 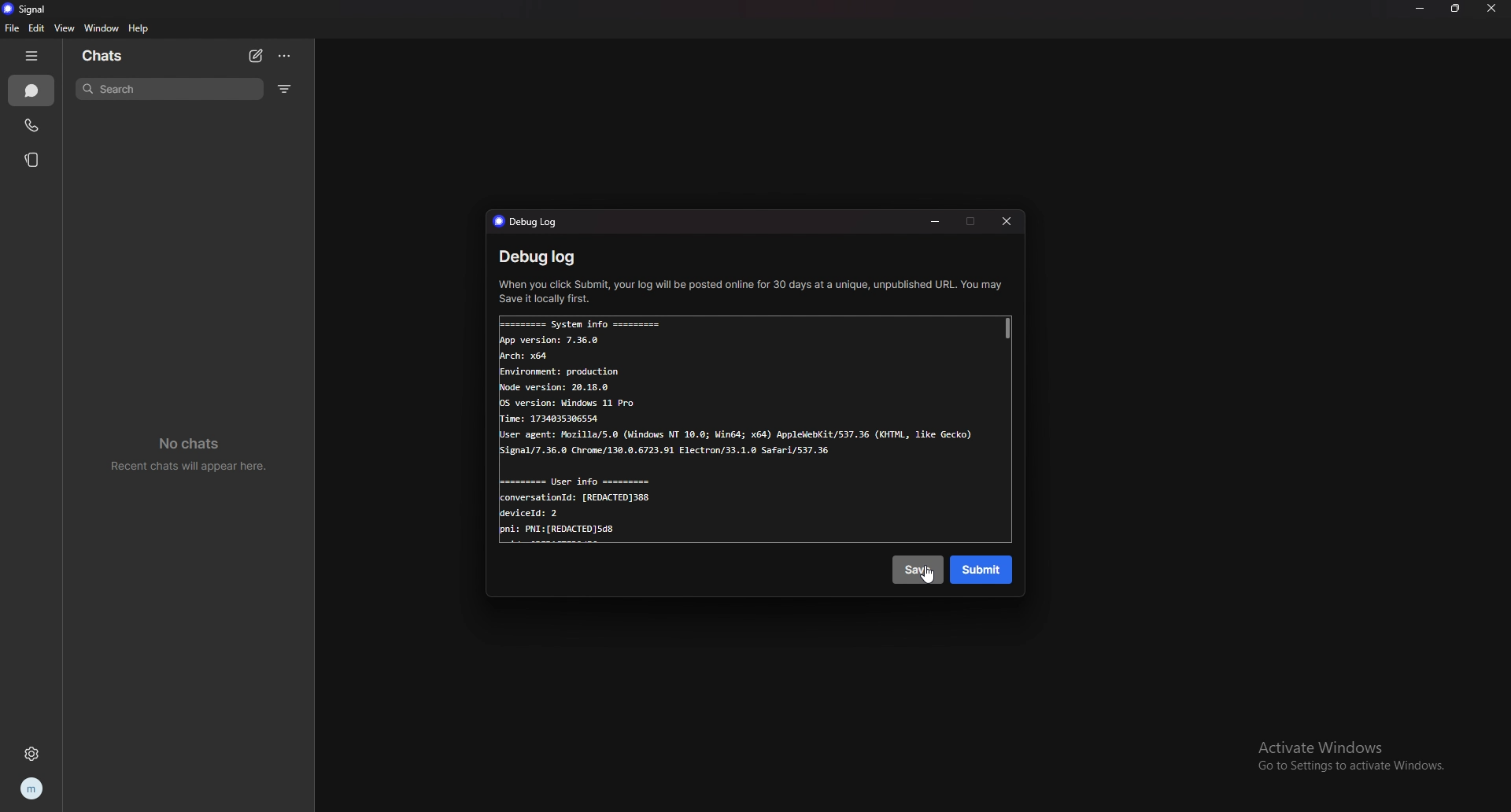 I want to click on minimize, so click(x=1421, y=8).